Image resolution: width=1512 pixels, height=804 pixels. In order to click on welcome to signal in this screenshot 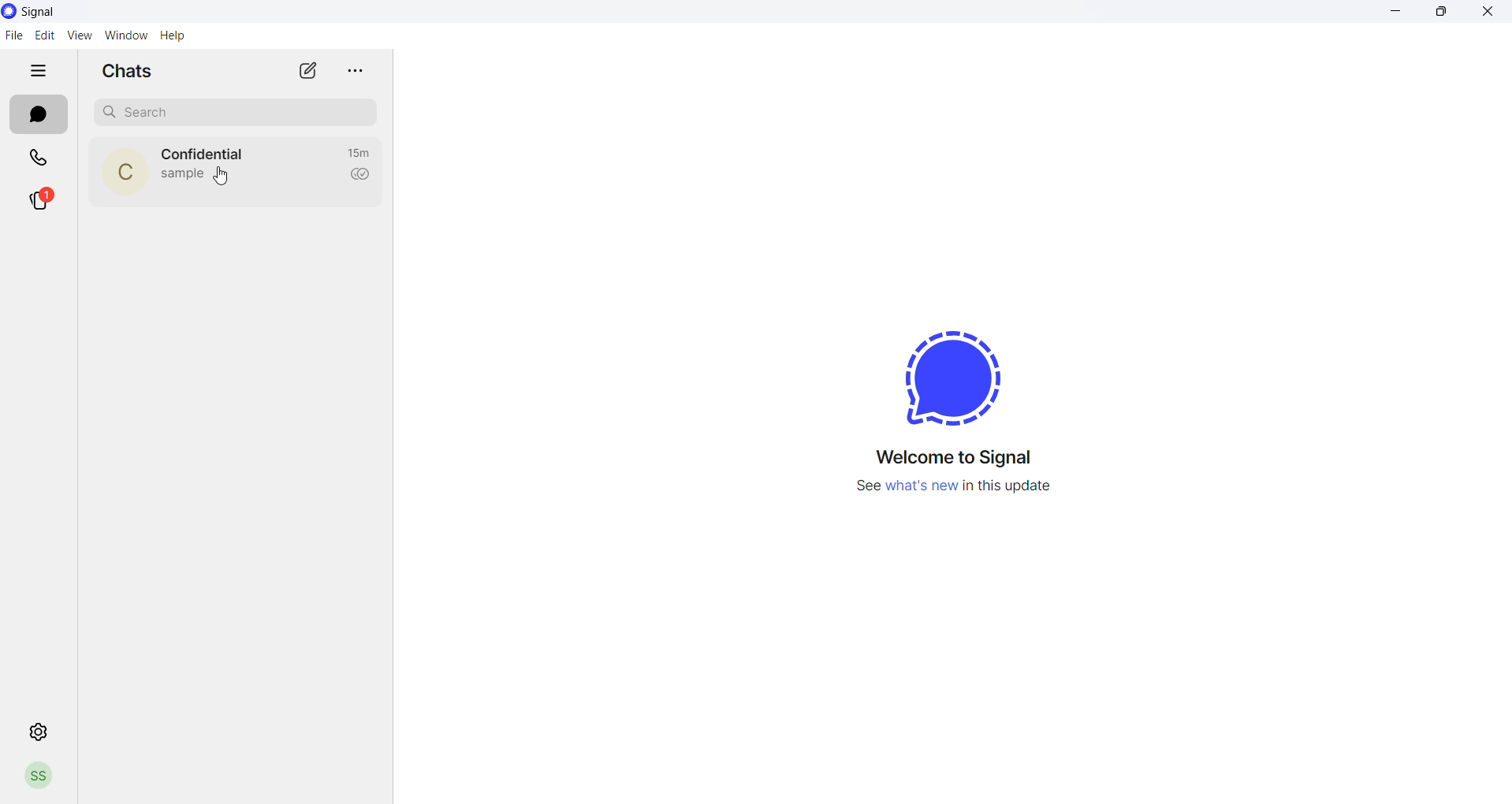, I will do `click(953, 456)`.